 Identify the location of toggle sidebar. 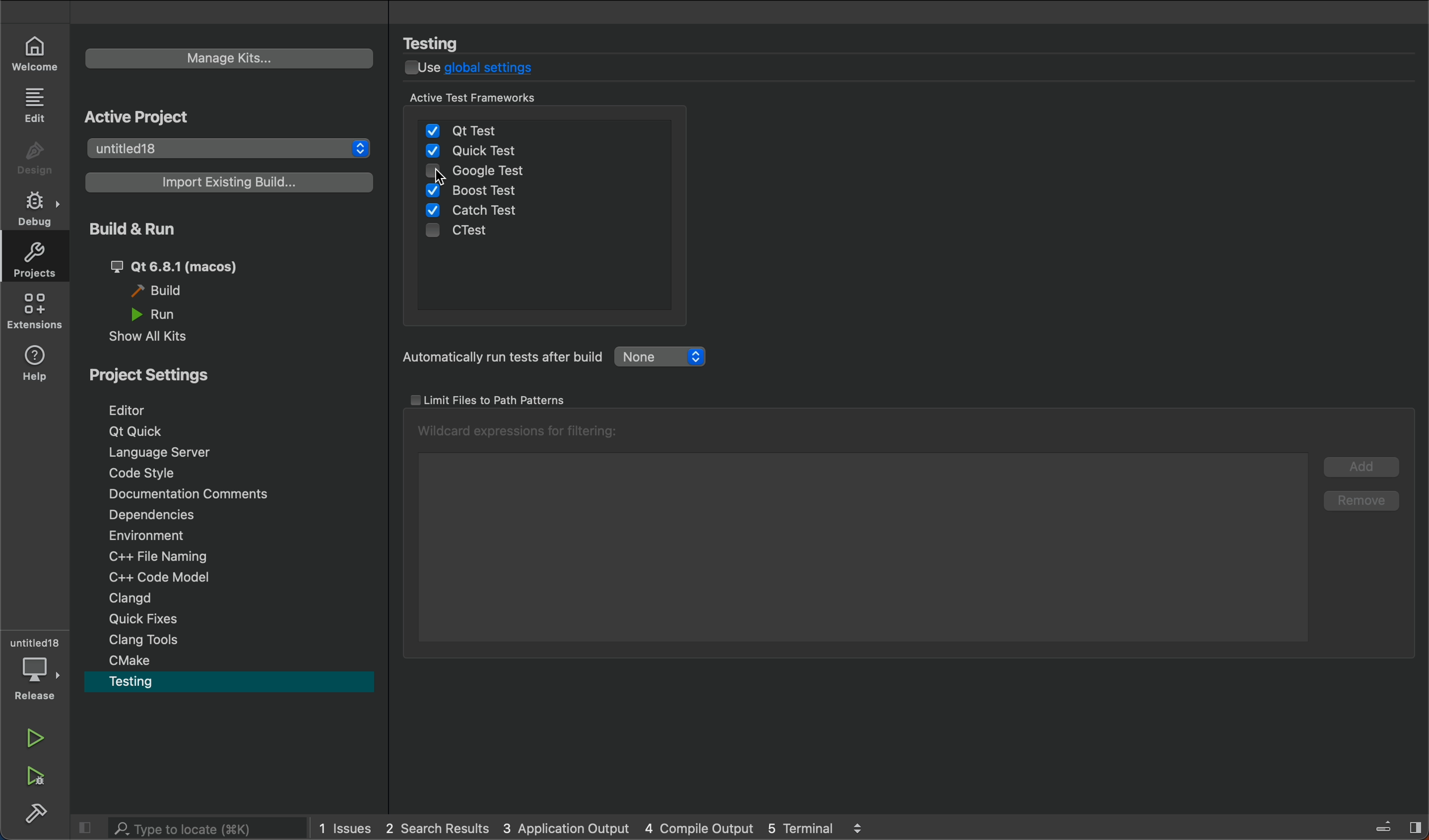
(1381, 829).